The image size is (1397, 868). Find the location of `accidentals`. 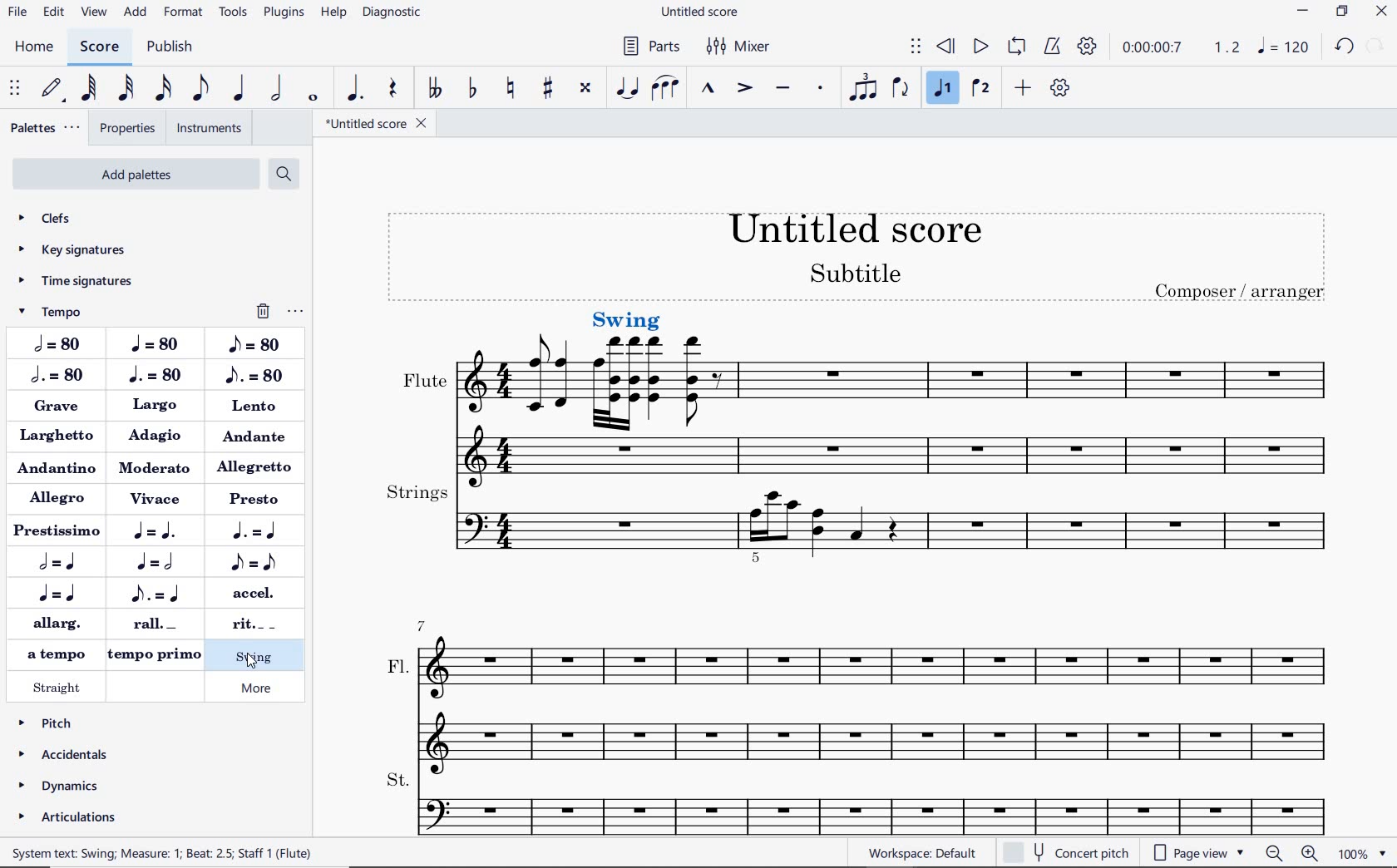

accidentals is located at coordinates (65, 755).